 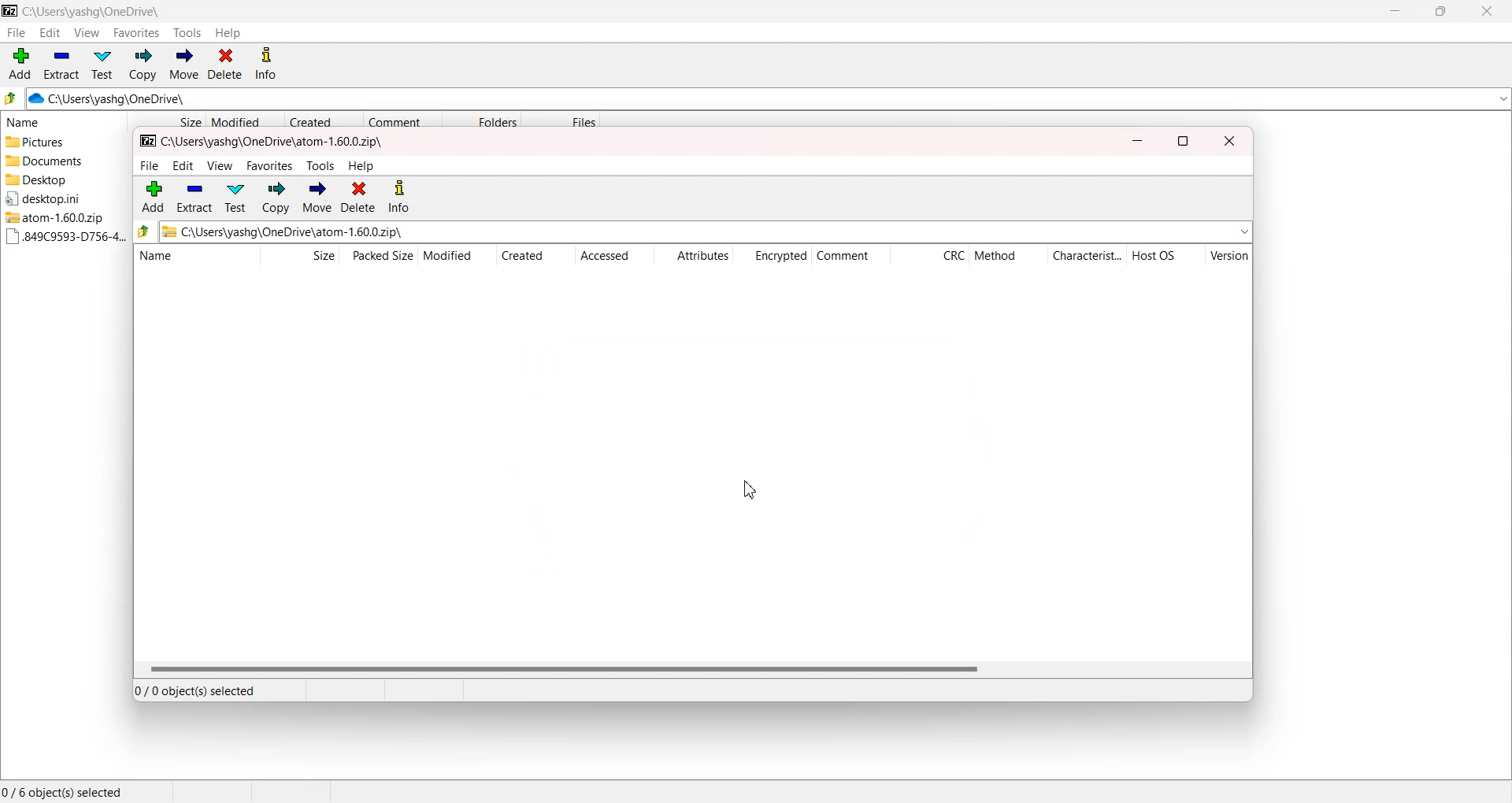 I want to click on test, so click(x=235, y=198).